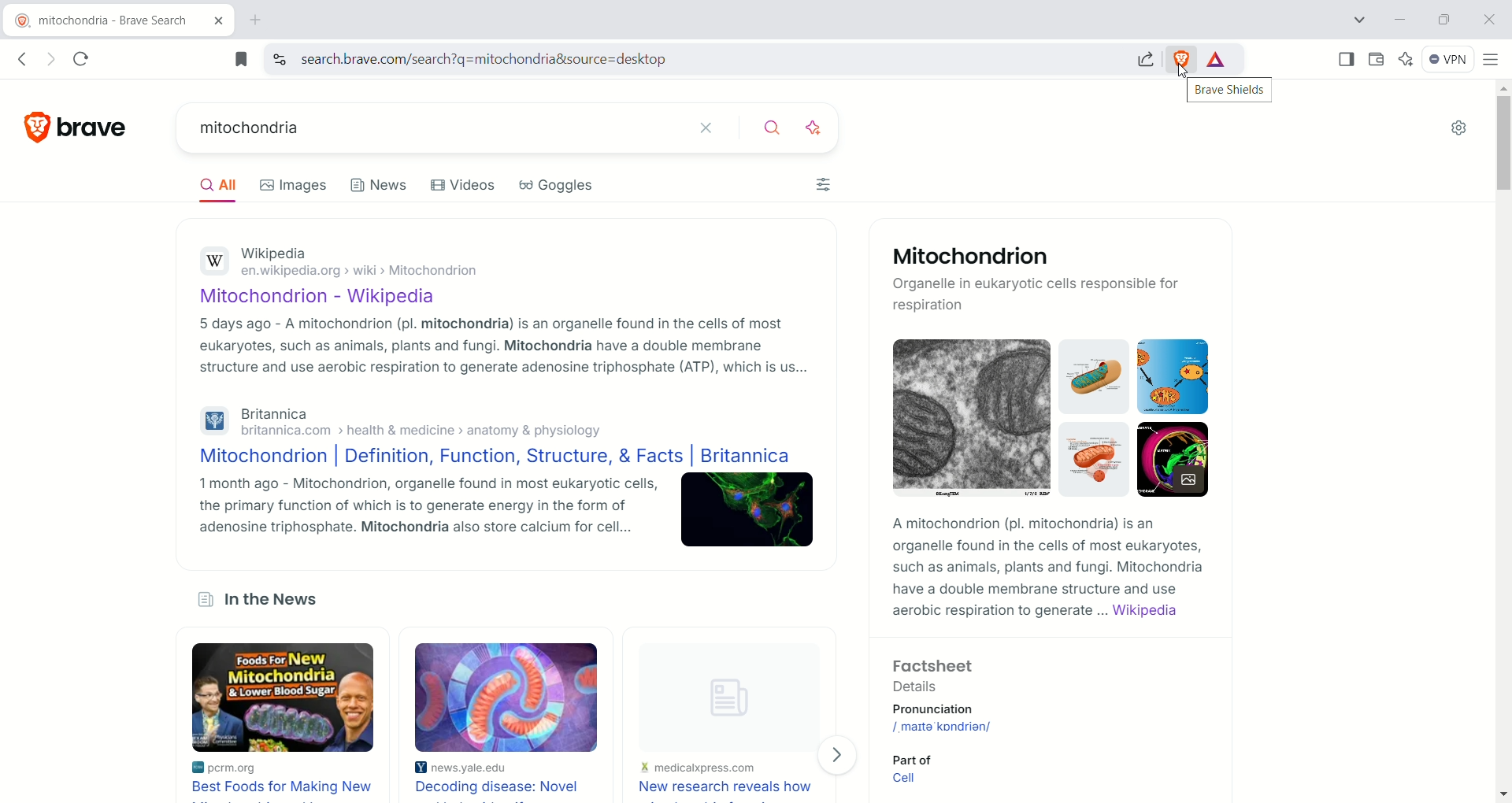  I want to click on Decoding disease:Novel, so click(502, 786).